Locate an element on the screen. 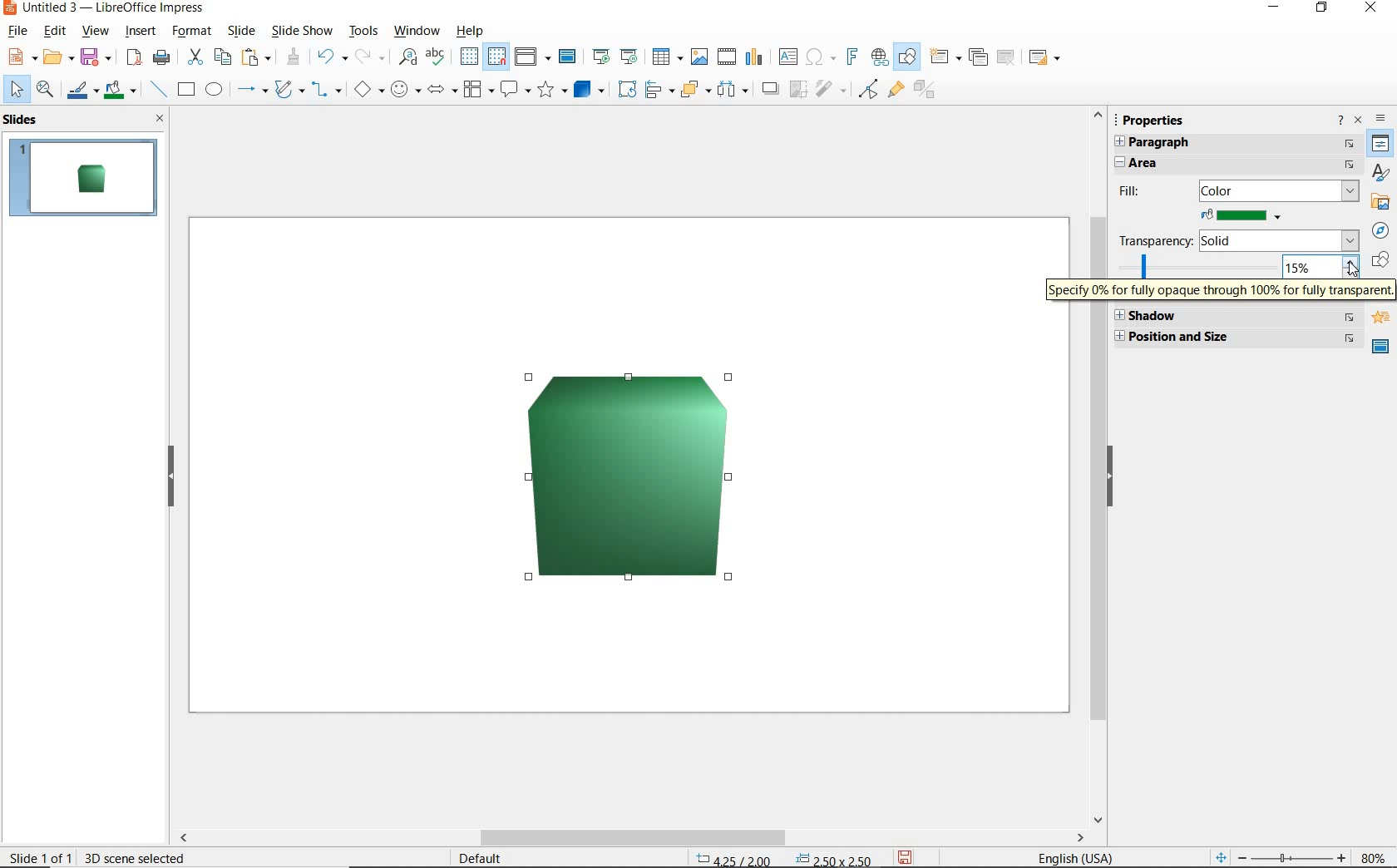 This screenshot has height=868, width=1397. format is located at coordinates (193, 31).